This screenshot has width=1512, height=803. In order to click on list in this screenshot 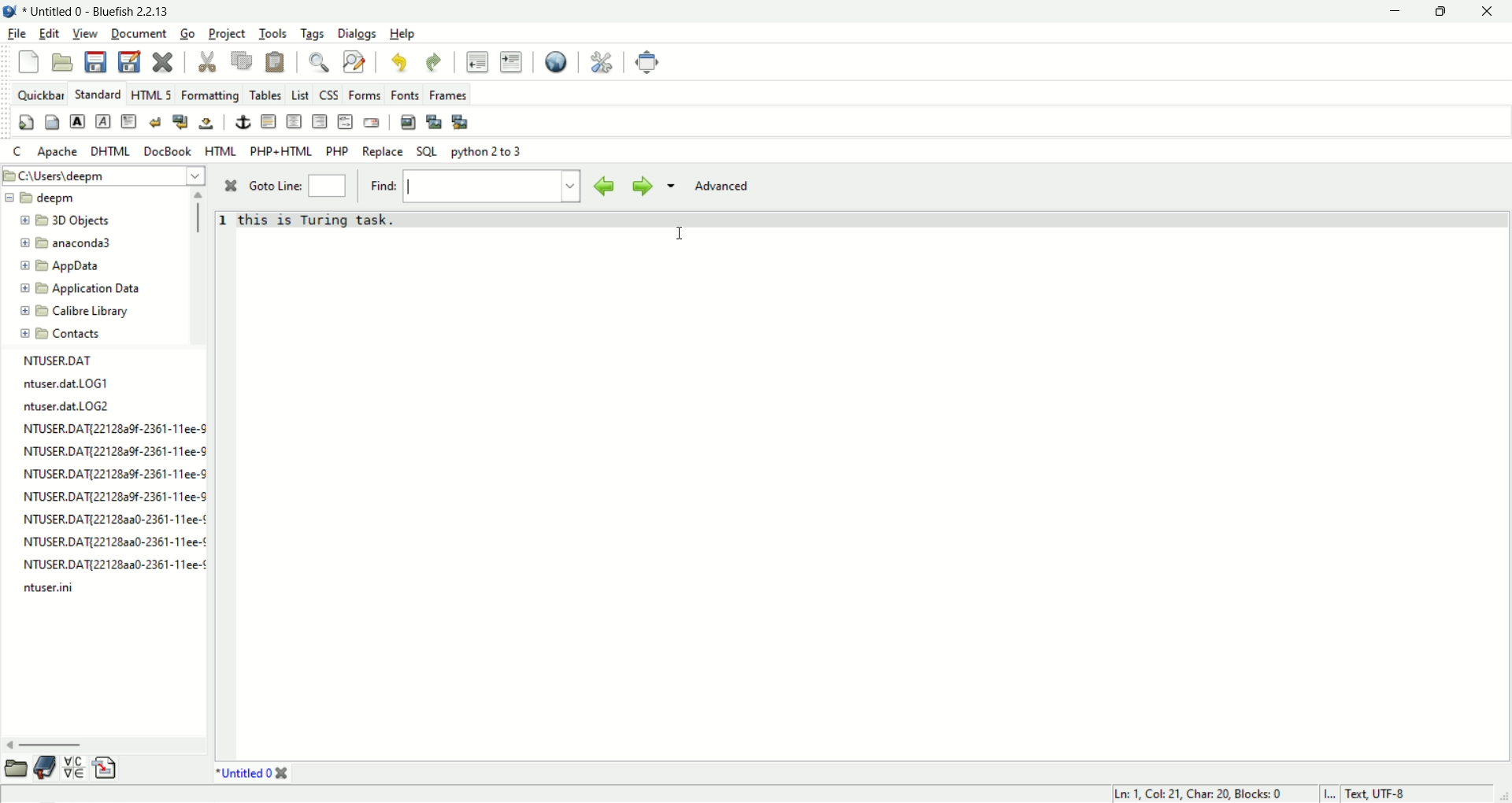, I will do `click(302, 96)`.